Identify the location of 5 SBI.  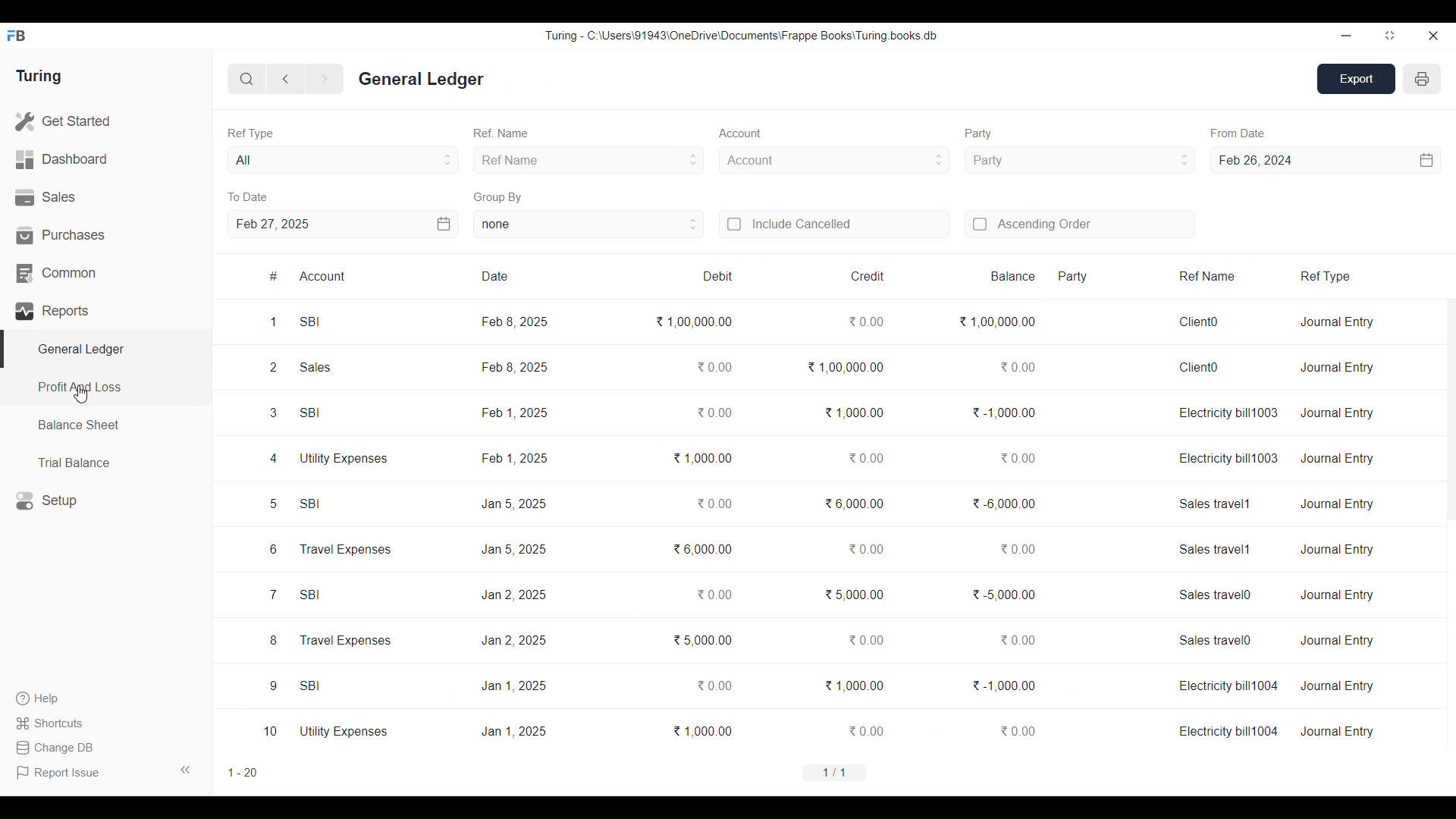
(297, 504).